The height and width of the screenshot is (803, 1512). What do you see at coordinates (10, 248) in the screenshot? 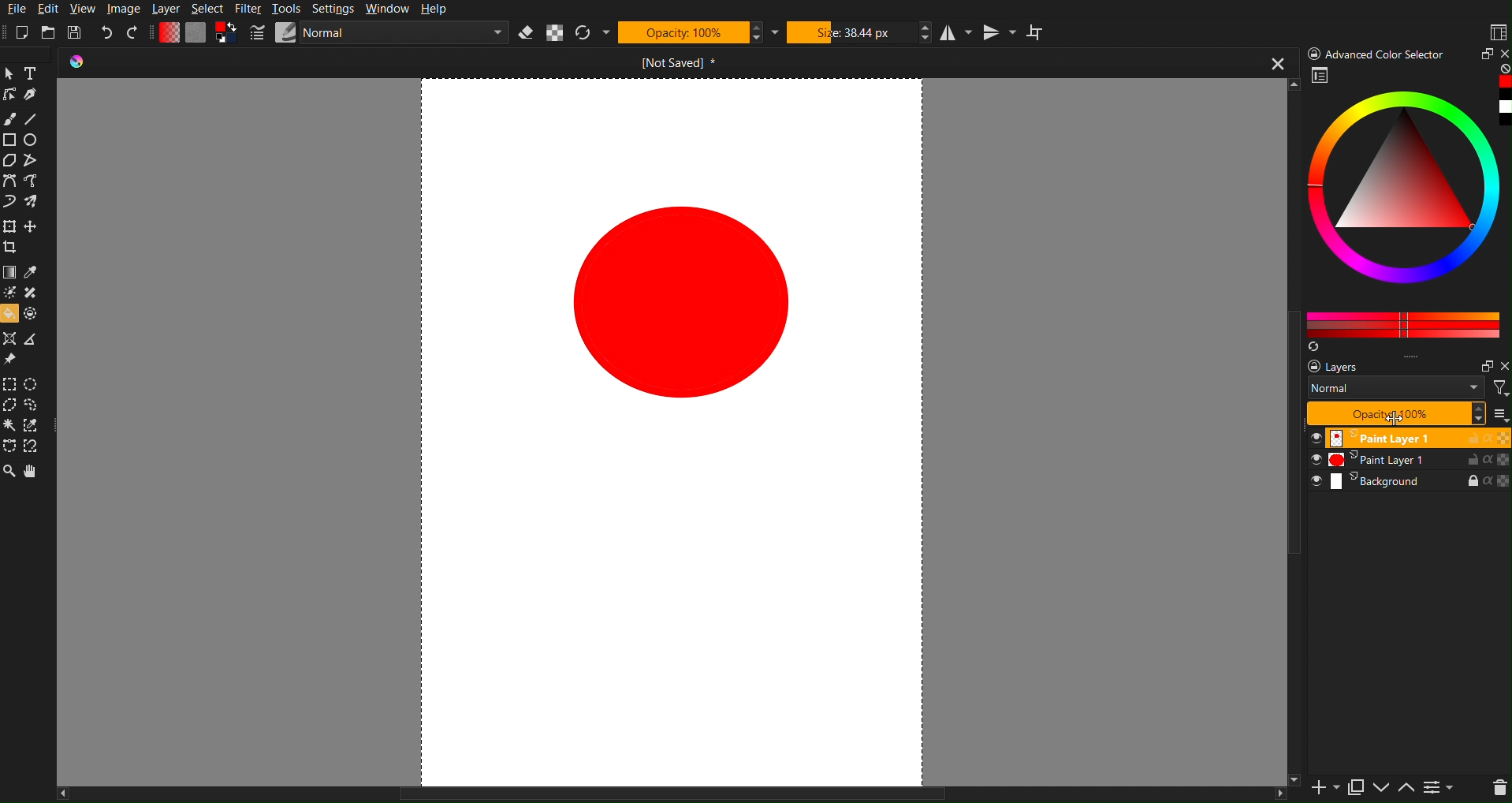
I see `Crop` at bounding box center [10, 248].